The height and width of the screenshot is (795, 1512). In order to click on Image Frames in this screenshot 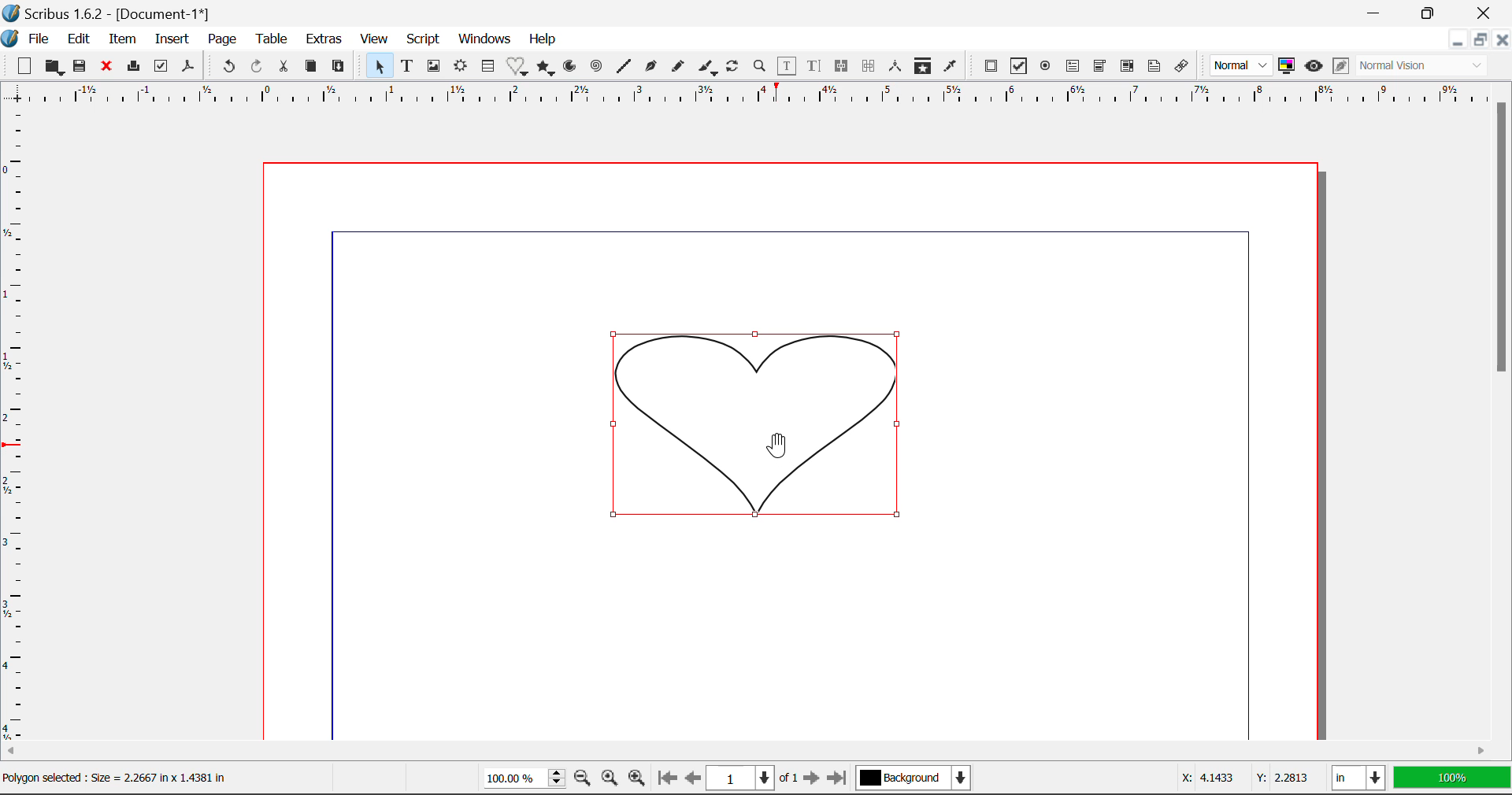, I will do `click(433, 66)`.